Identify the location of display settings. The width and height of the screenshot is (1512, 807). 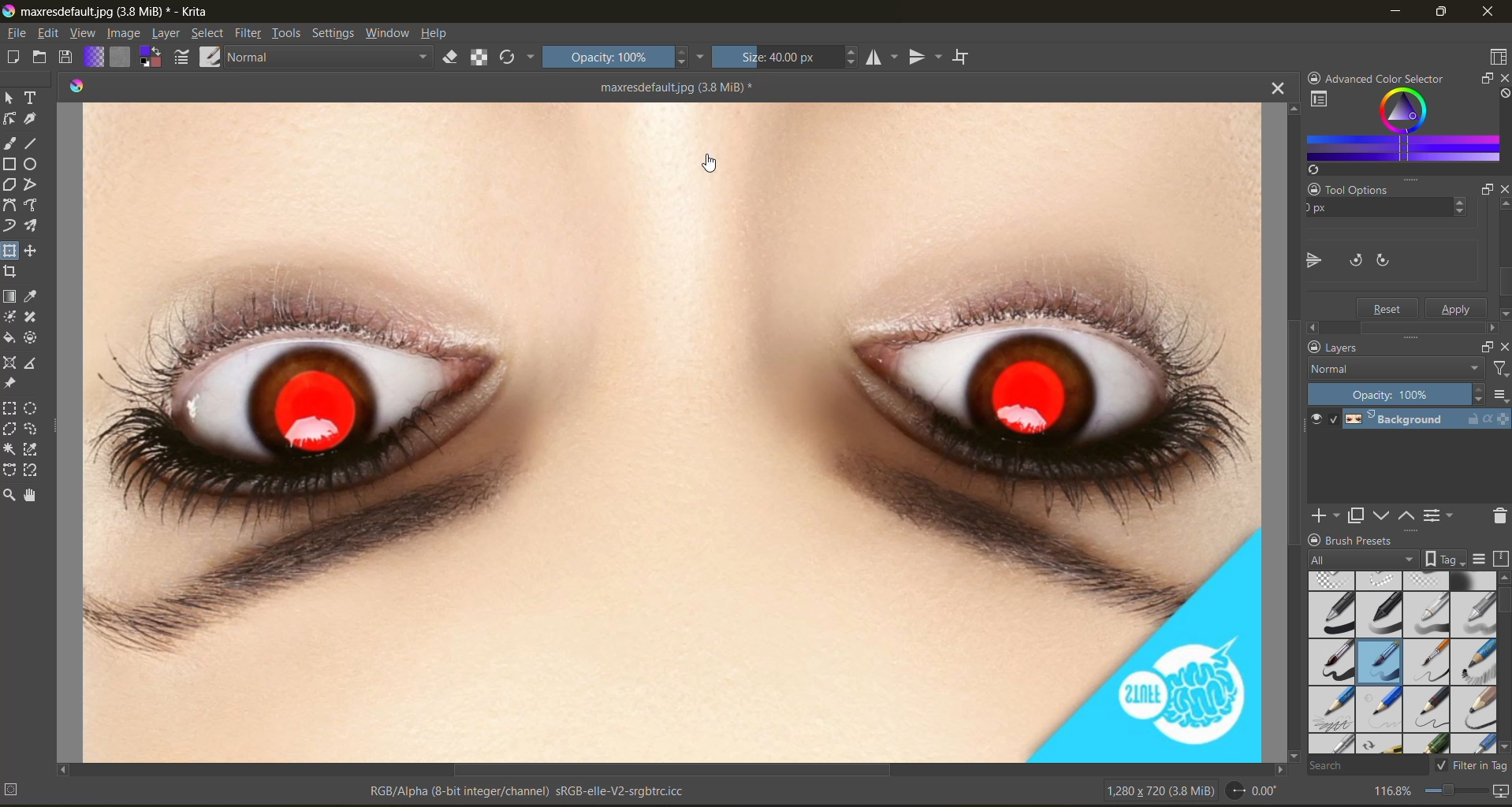
(1484, 558).